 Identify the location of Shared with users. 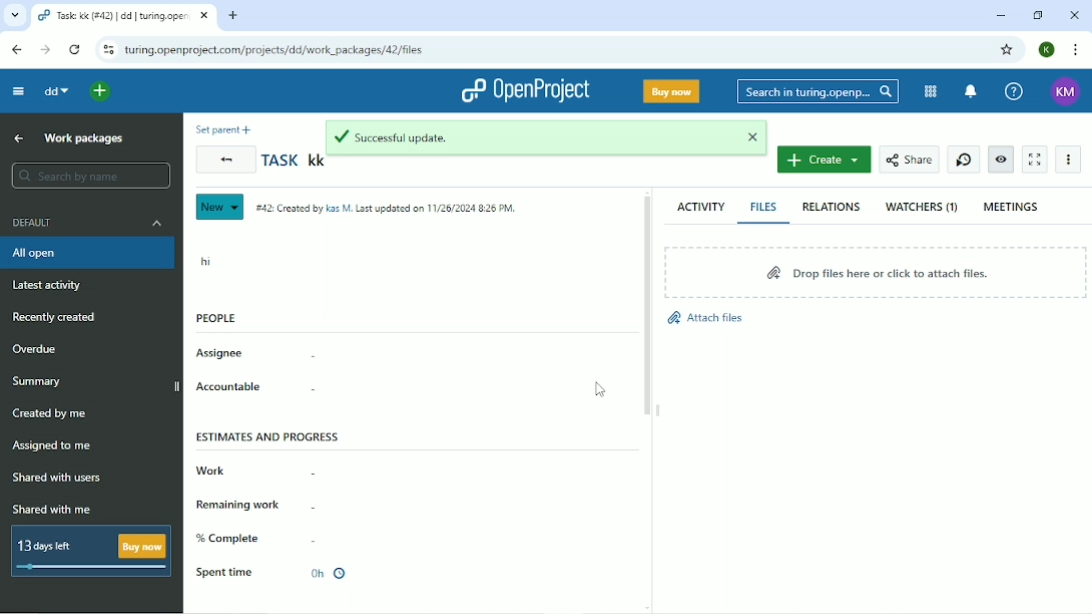
(57, 478).